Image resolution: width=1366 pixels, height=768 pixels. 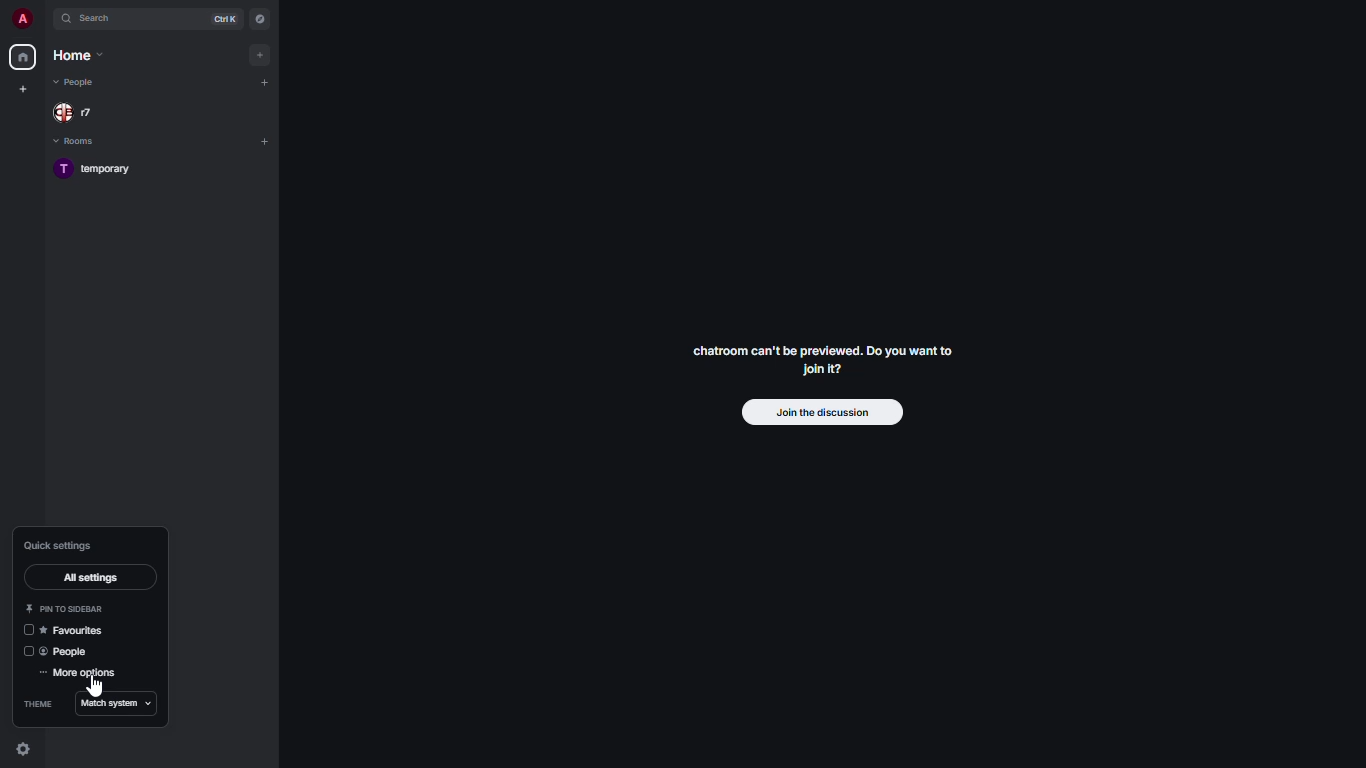 I want to click on people, so click(x=83, y=83).